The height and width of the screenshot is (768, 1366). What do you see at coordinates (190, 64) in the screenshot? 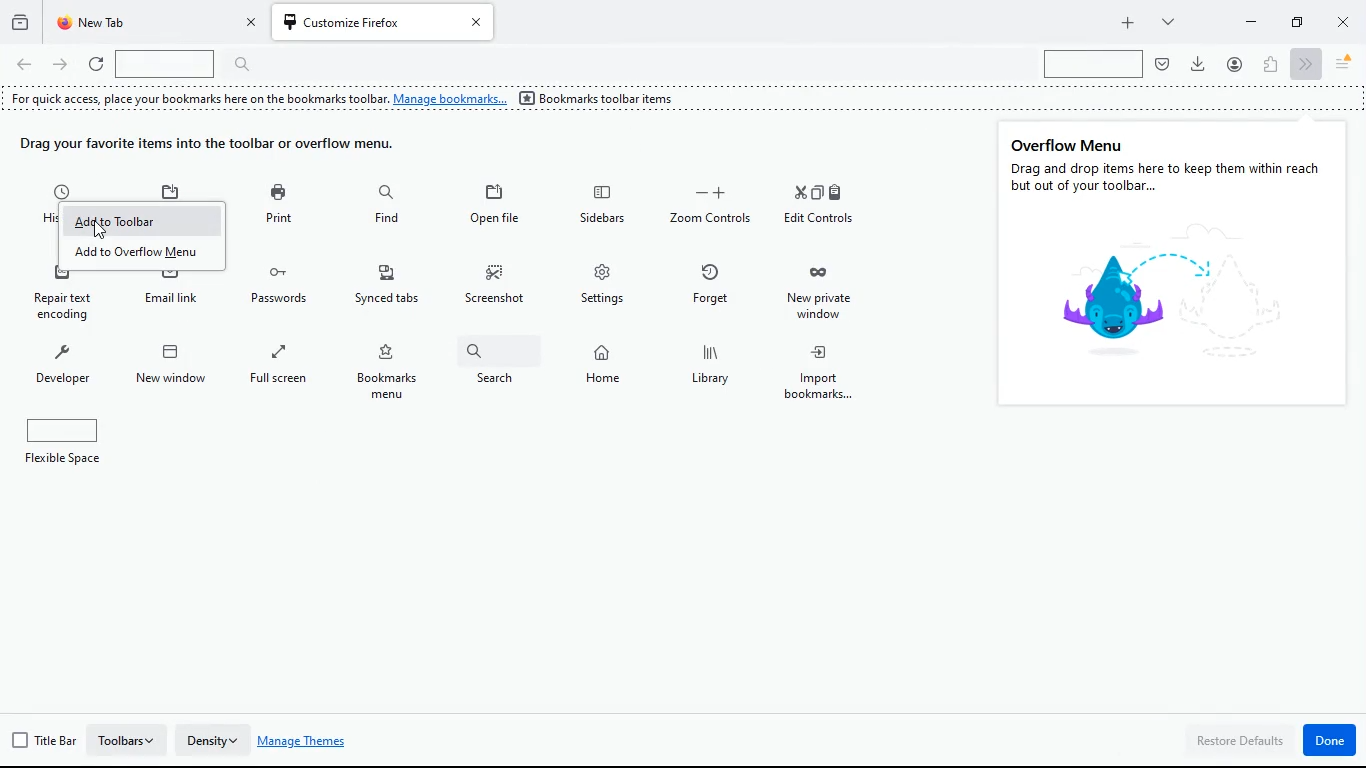
I see `search` at bounding box center [190, 64].